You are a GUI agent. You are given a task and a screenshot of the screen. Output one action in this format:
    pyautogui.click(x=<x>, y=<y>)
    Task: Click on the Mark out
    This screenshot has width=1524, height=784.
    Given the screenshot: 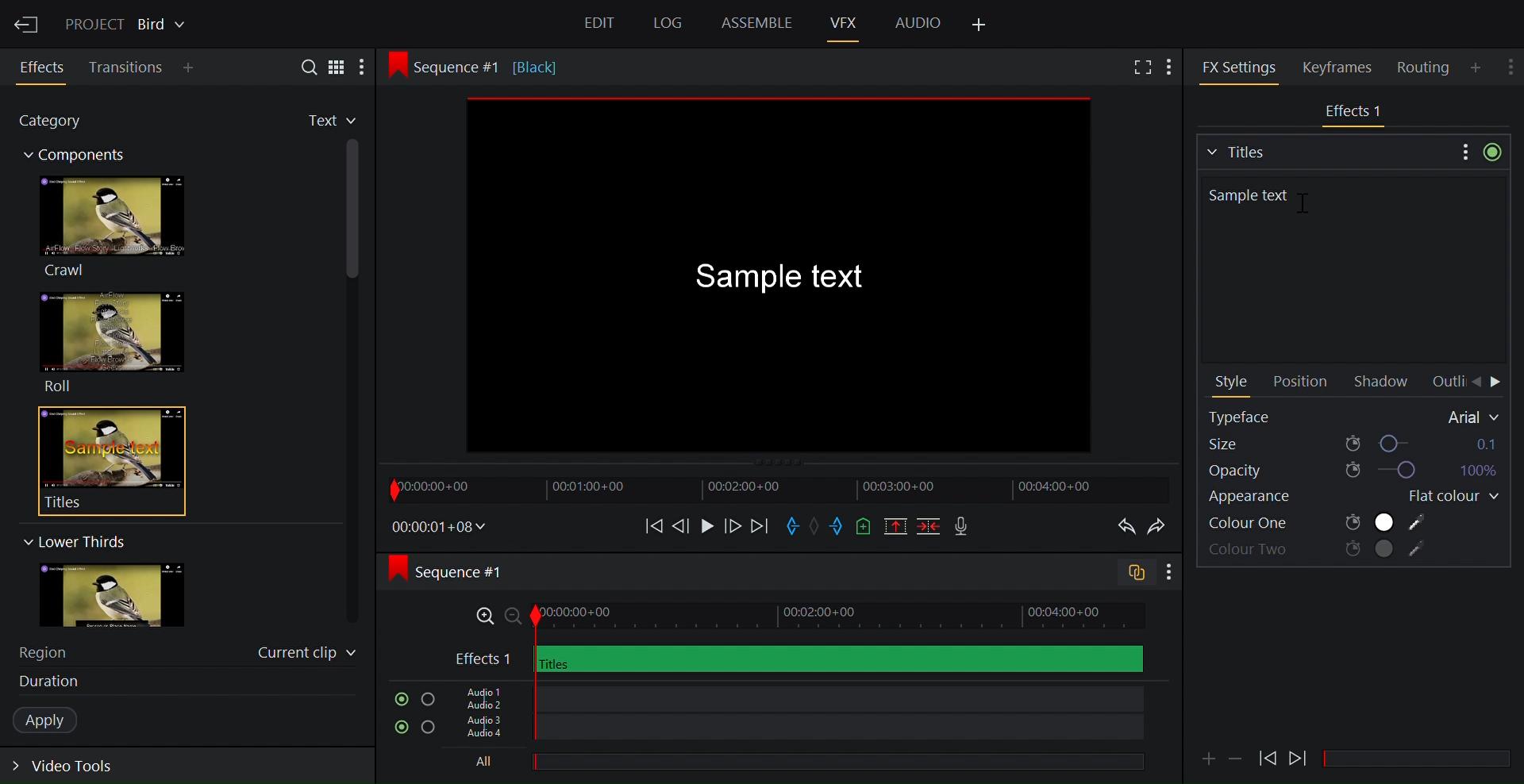 What is the action you would take?
    pyautogui.click(x=837, y=527)
    